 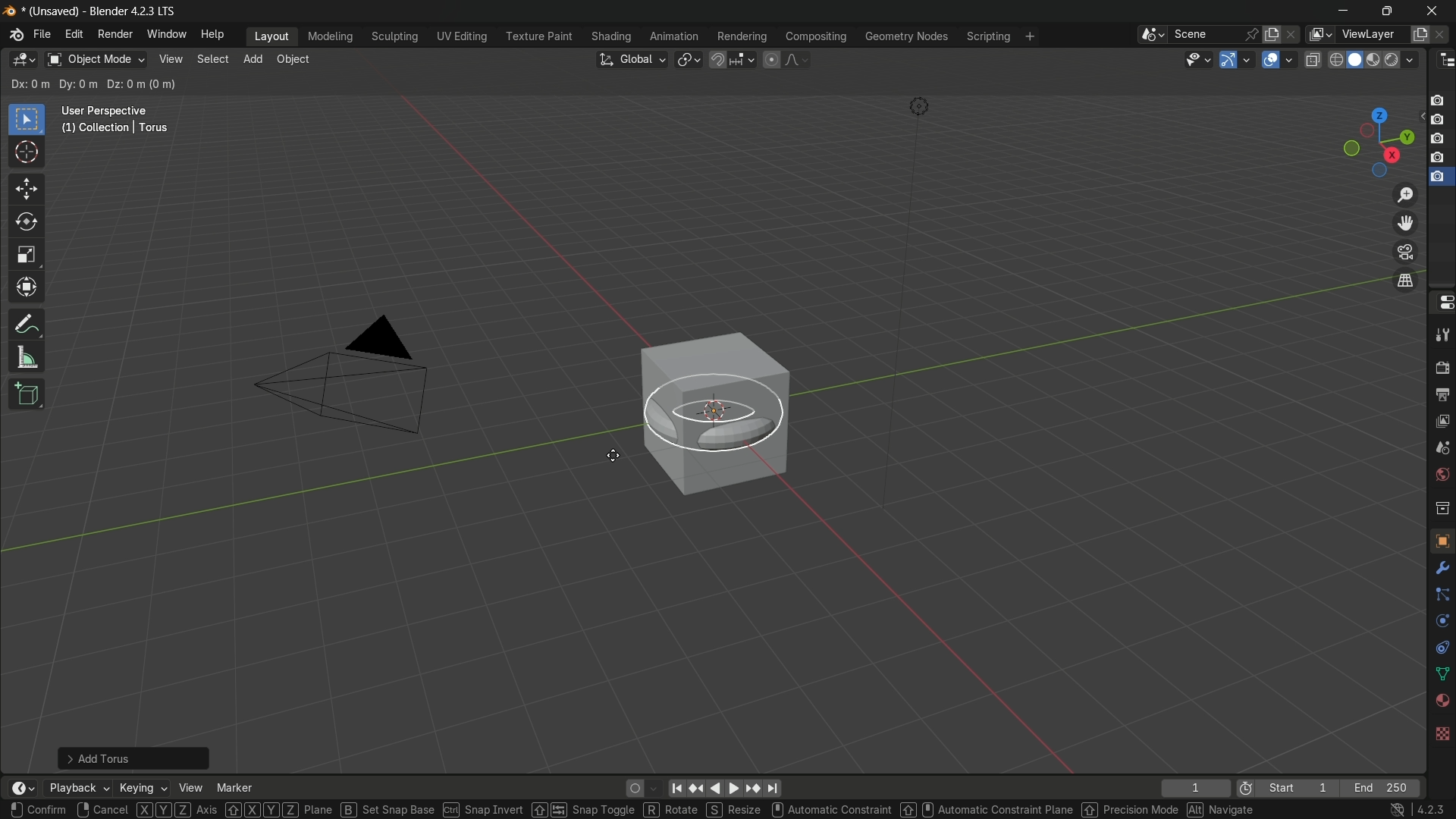 I want to click on jump to keyframe, so click(x=695, y=789).